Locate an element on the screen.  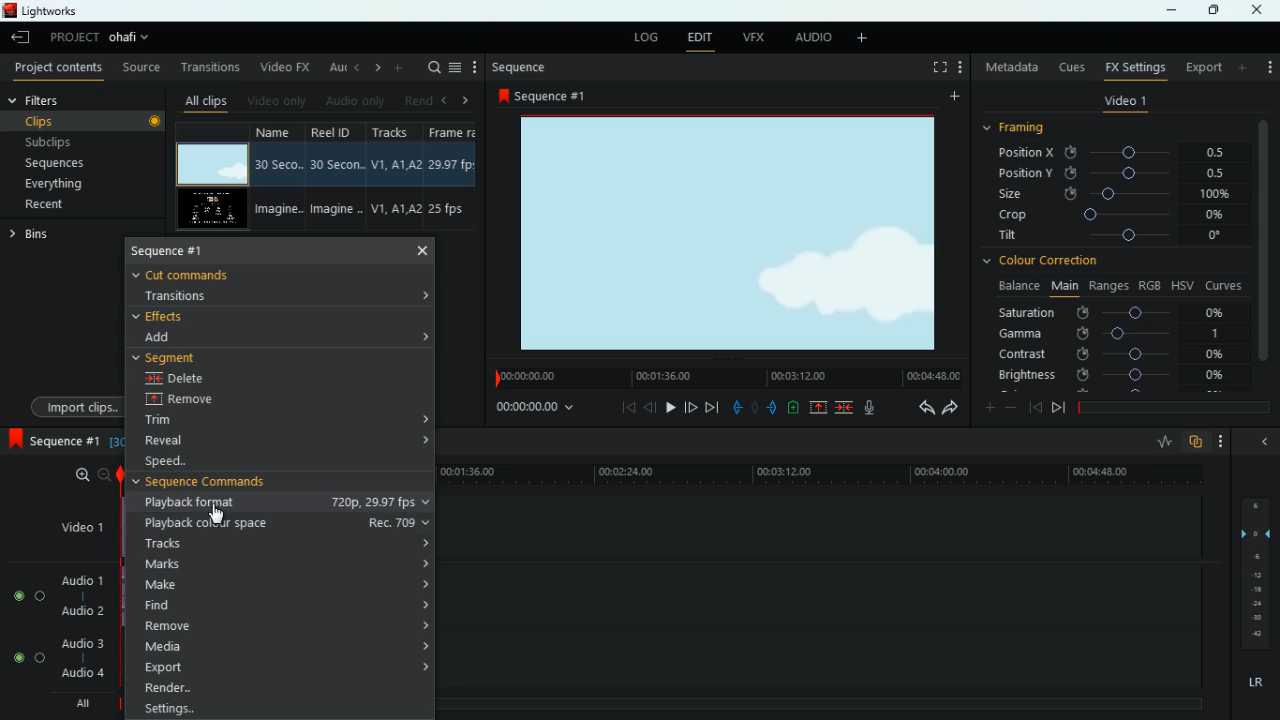
position x is located at coordinates (1112, 151).